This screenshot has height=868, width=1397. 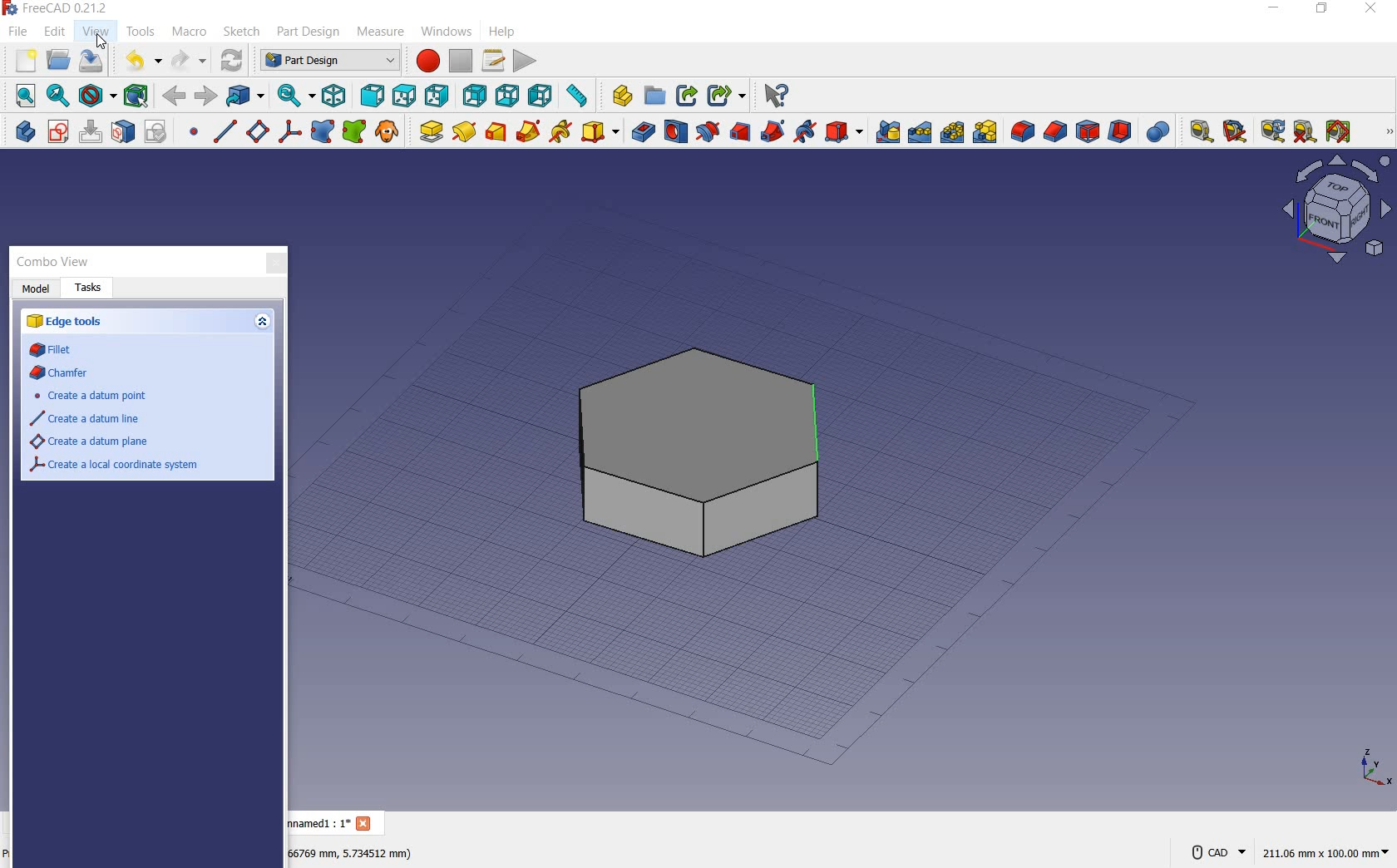 What do you see at coordinates (189, 60) in the screenshot?
I see `redo` at bounding box center [189, 60].